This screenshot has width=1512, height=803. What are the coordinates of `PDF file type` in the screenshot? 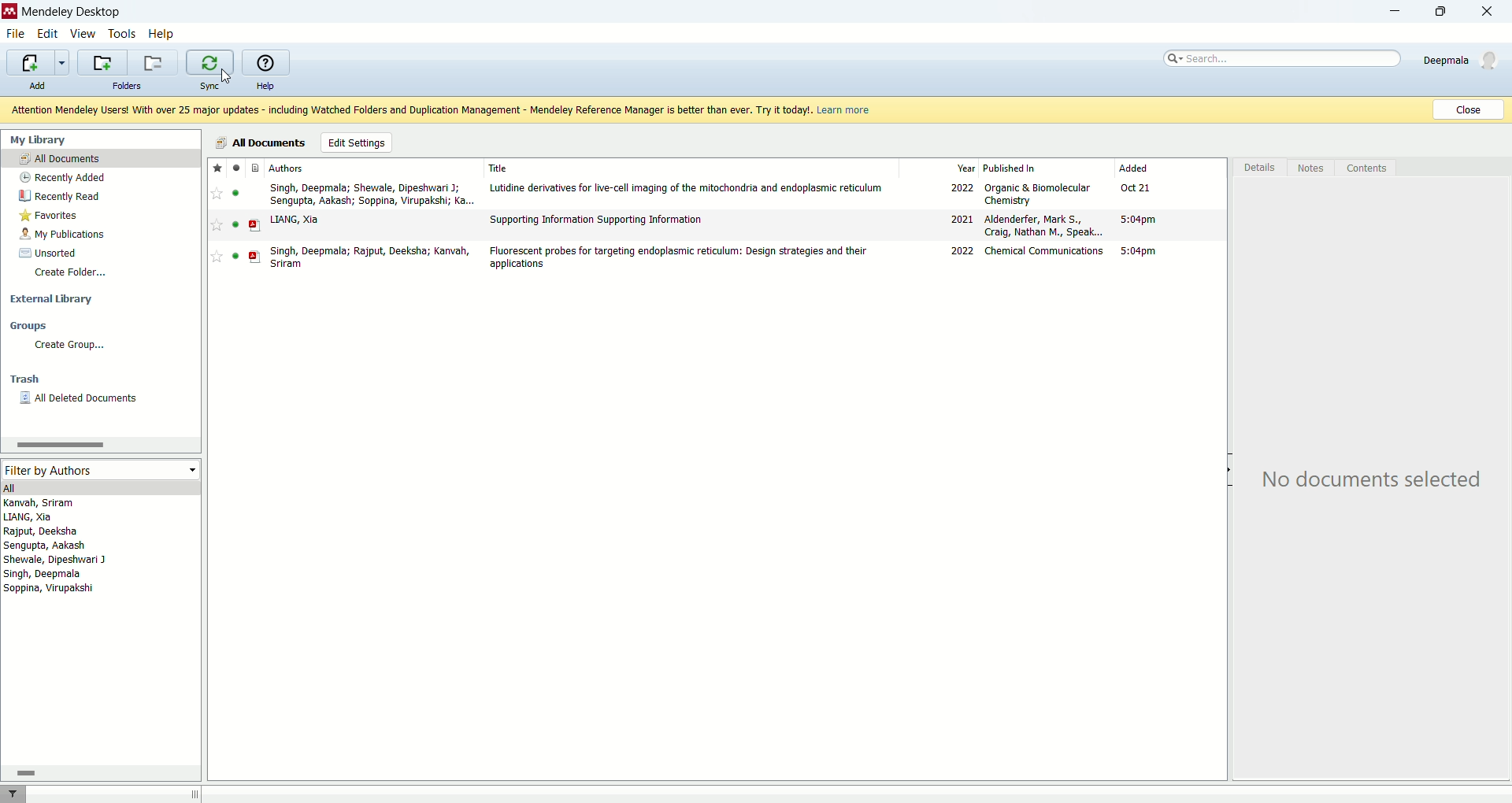 It's located at (256, 226).